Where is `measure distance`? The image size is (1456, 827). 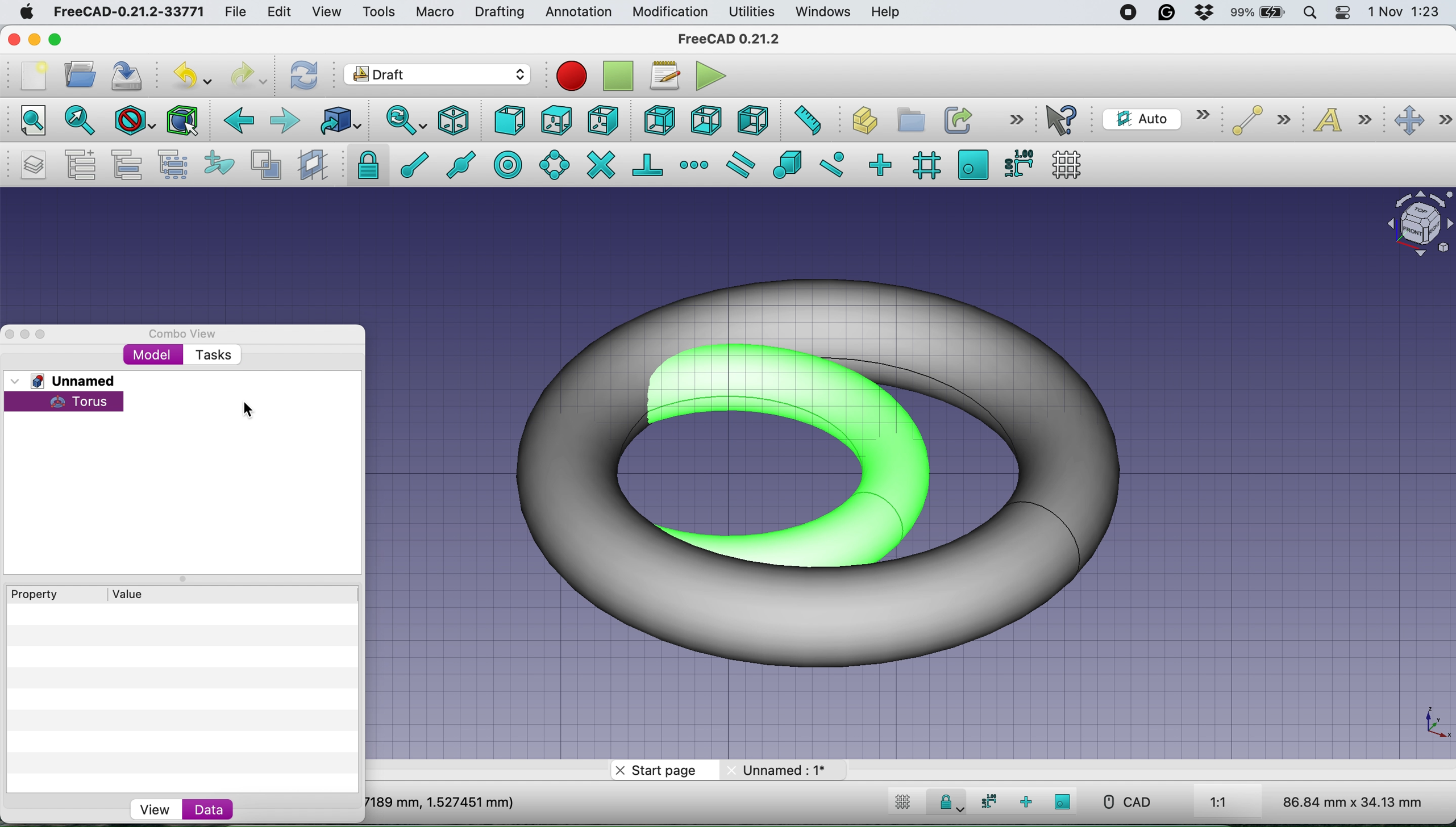 measure distance is located at coordinates (806, 122).